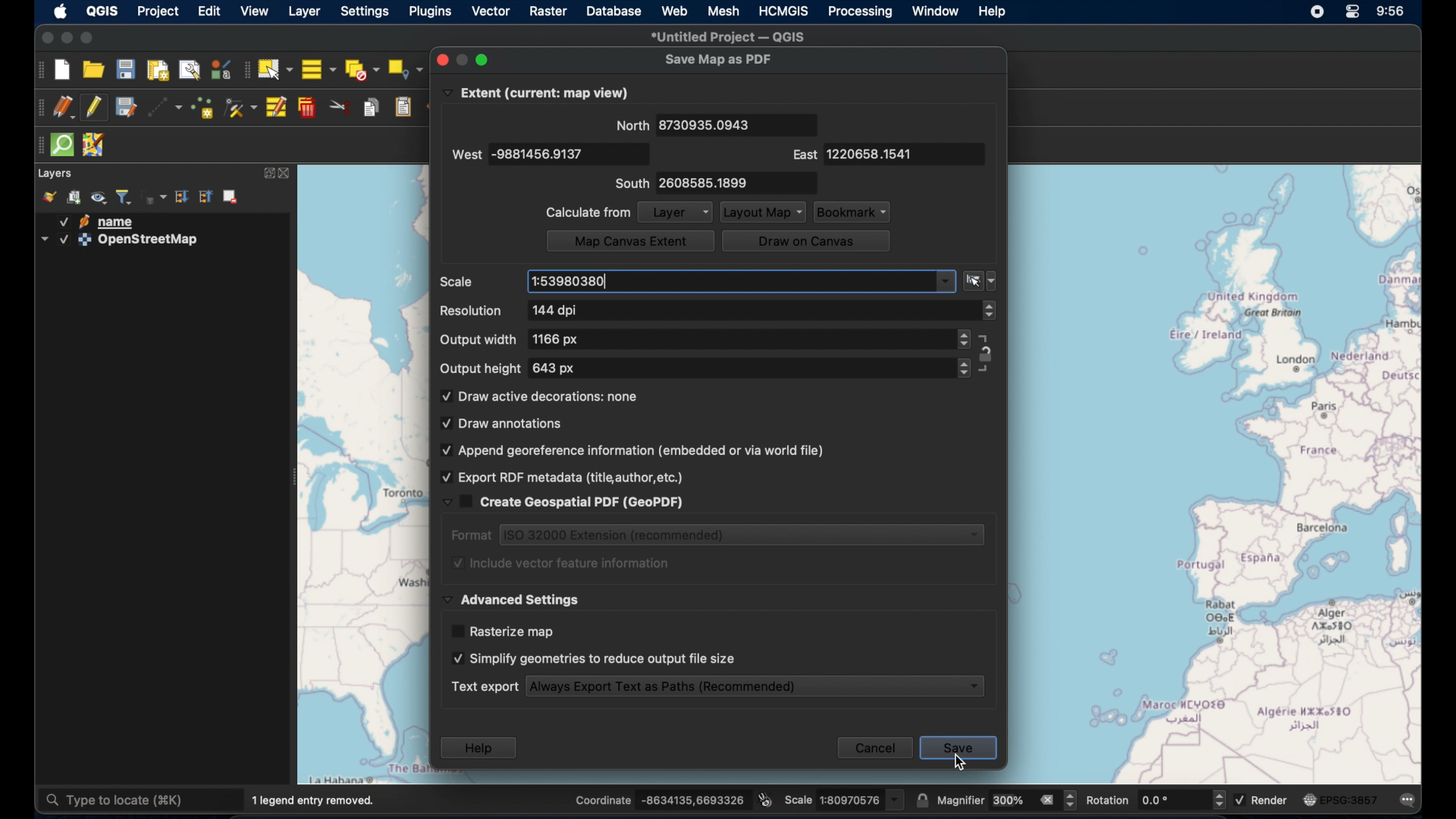 The width and height of the screenshot is (1456, 819). I want to click on scale, so click(459, 282).